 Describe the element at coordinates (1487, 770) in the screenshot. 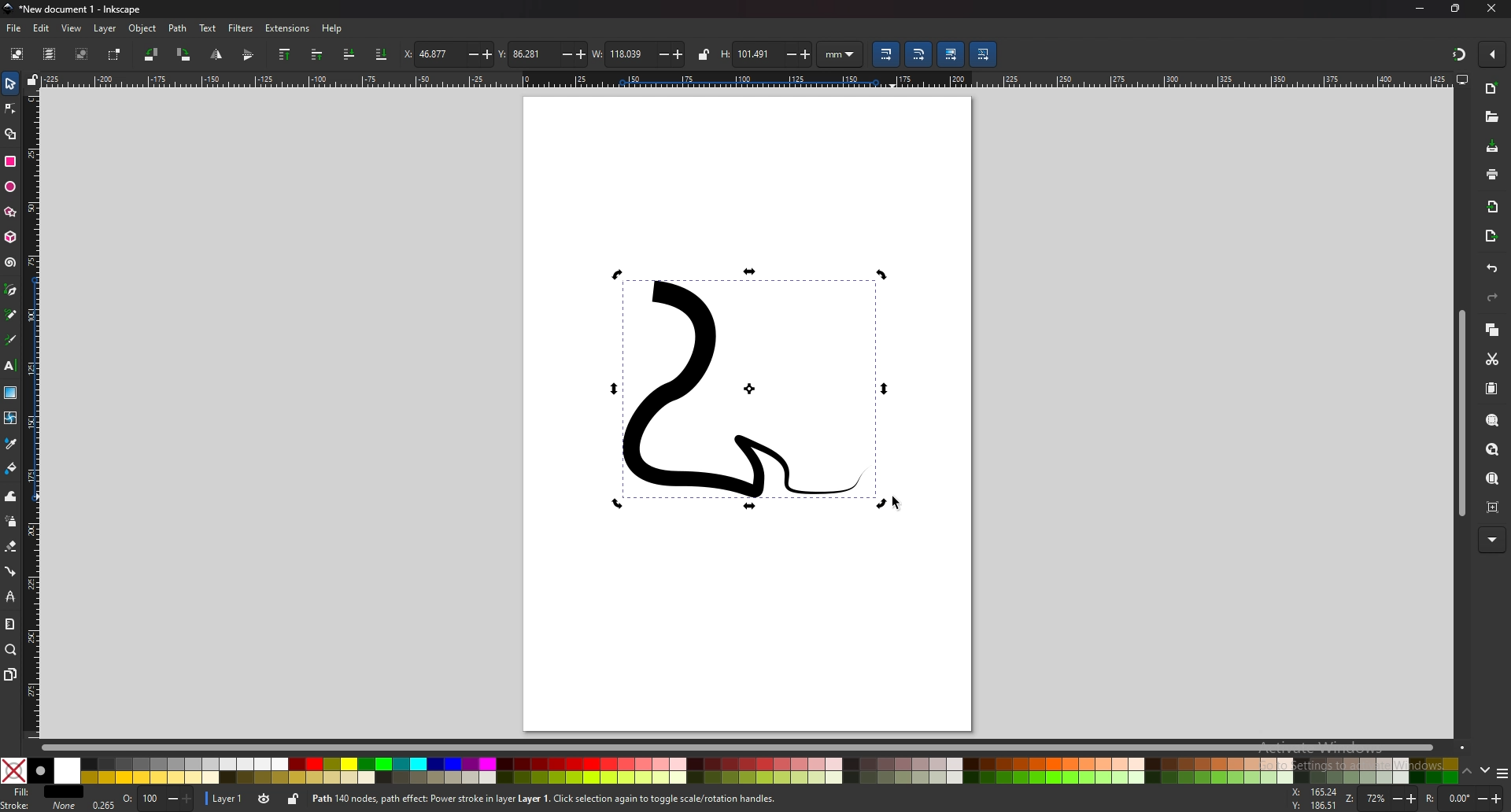

I see `down` at that location.